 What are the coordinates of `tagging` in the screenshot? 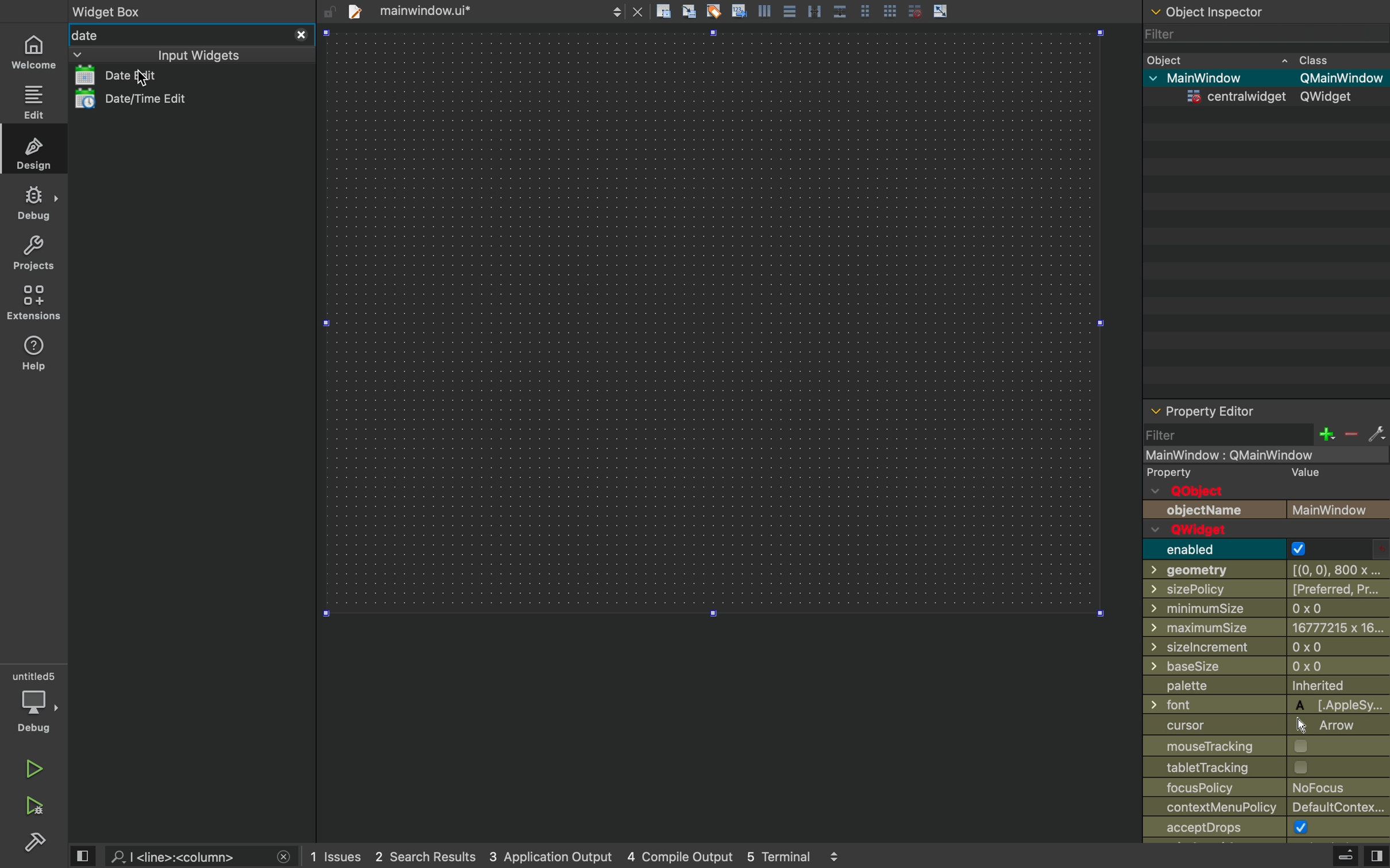 It's located at (713, 10).